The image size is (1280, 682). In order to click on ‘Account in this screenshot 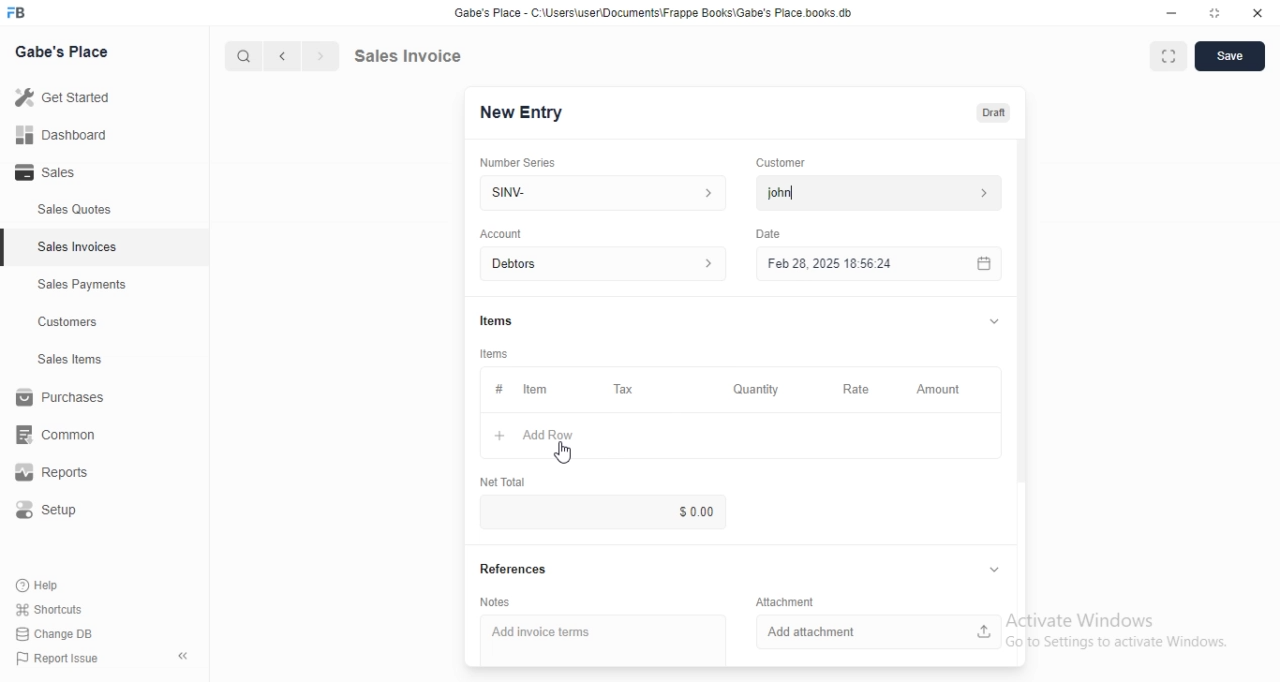, I will do `click(501, 233)`.